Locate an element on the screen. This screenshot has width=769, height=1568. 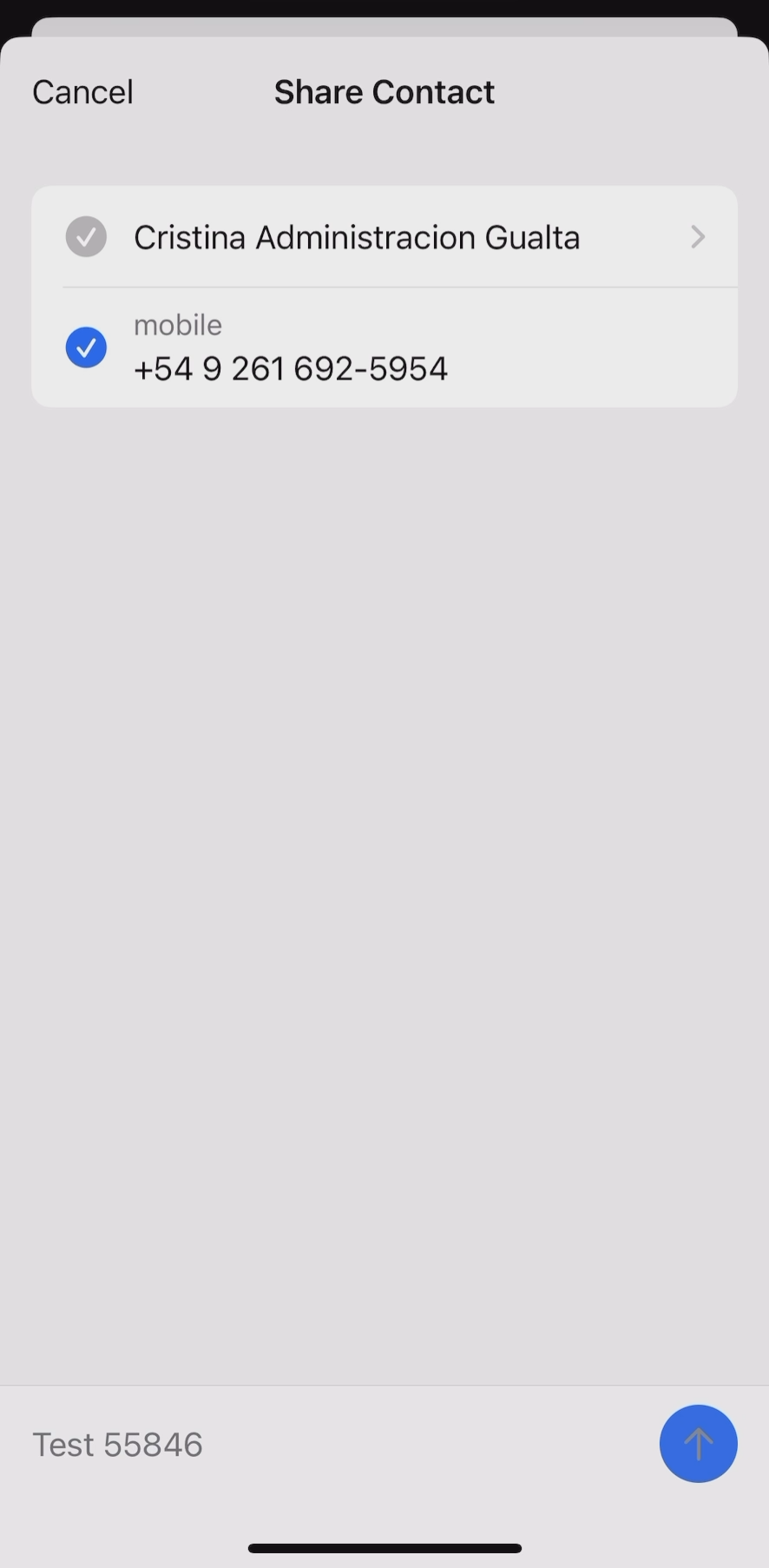
send button is located at coordinates (698, 1449).